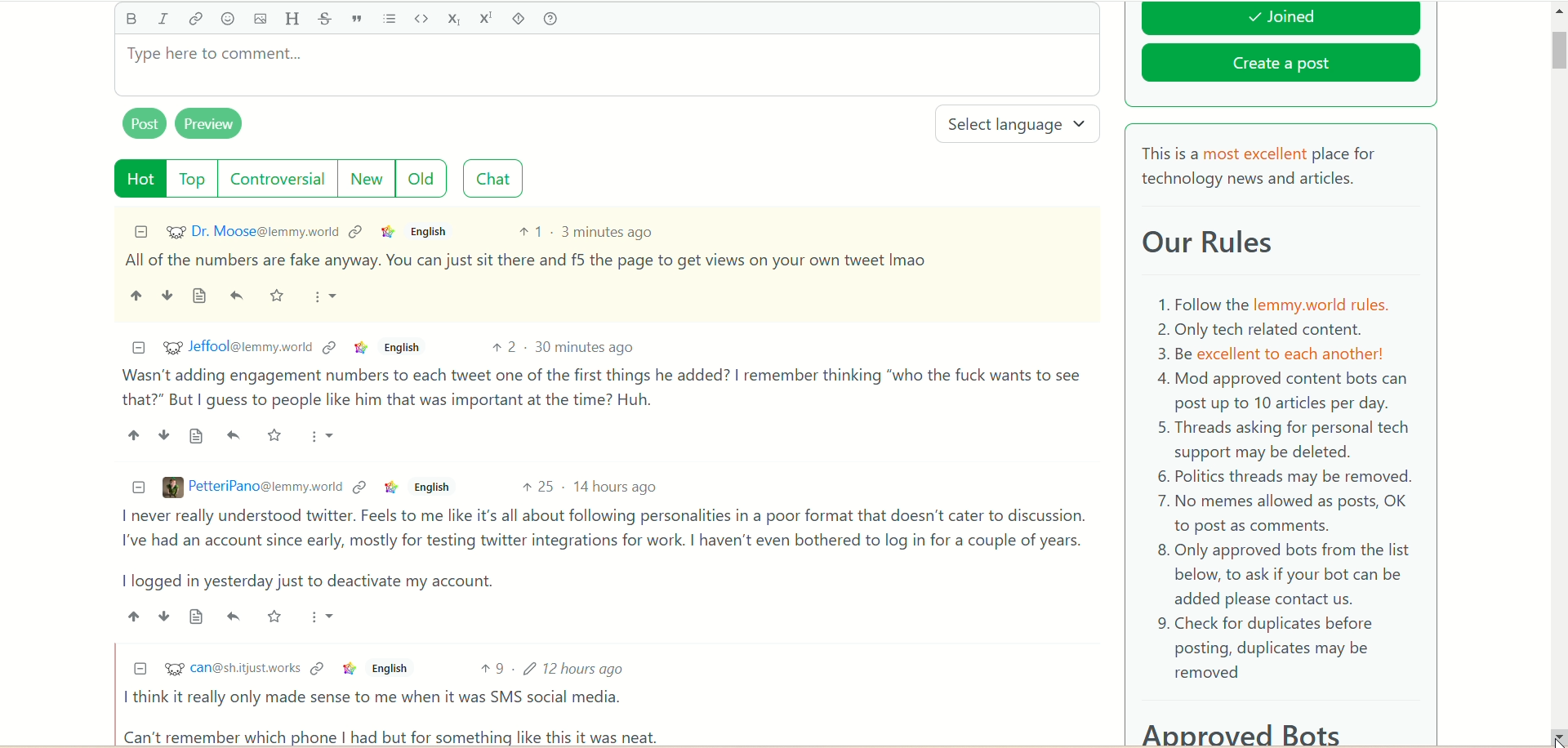 The height and width of the screenshot is (748, 1568). I want to click on Link, so click(349, 669).